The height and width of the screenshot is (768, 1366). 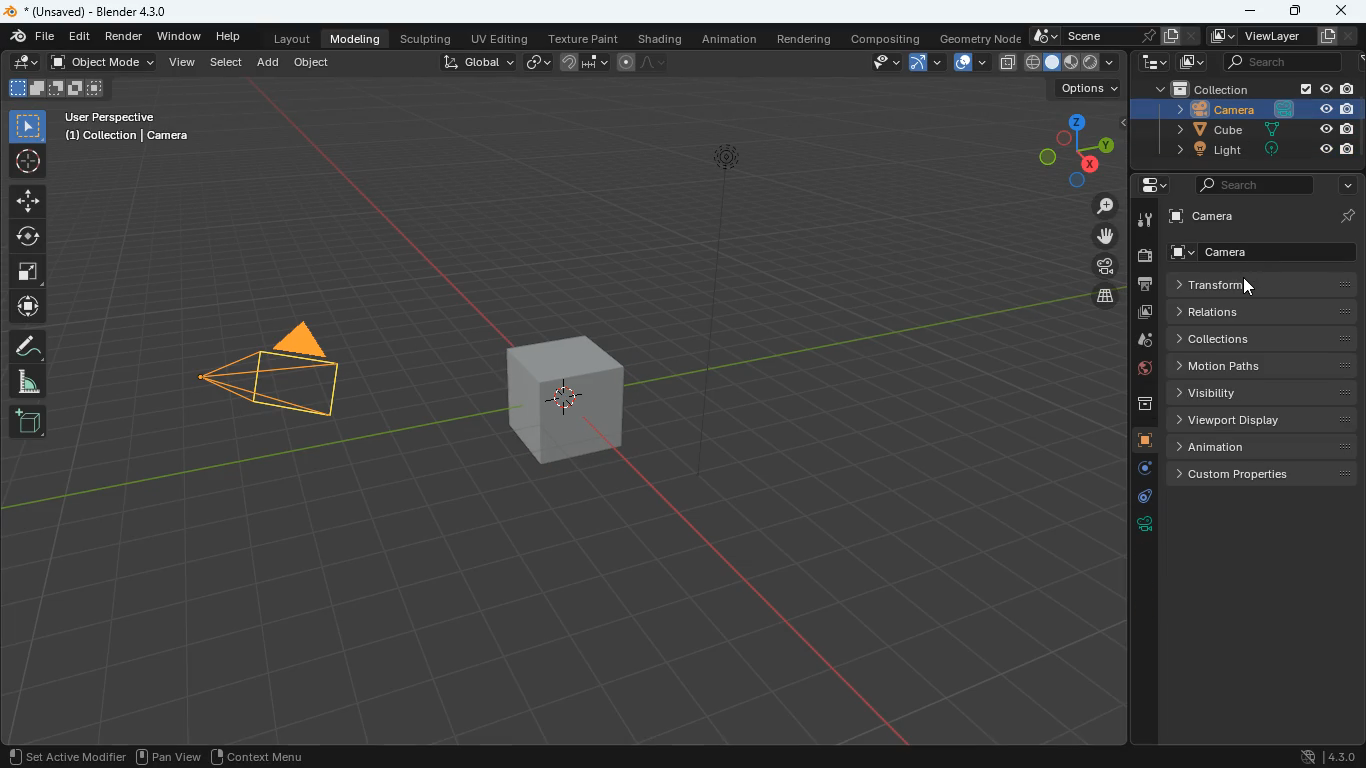 What do you see at coordinates (1171, 36) in the screenshot?
I see `copy` at bounding box center [1171, 36].